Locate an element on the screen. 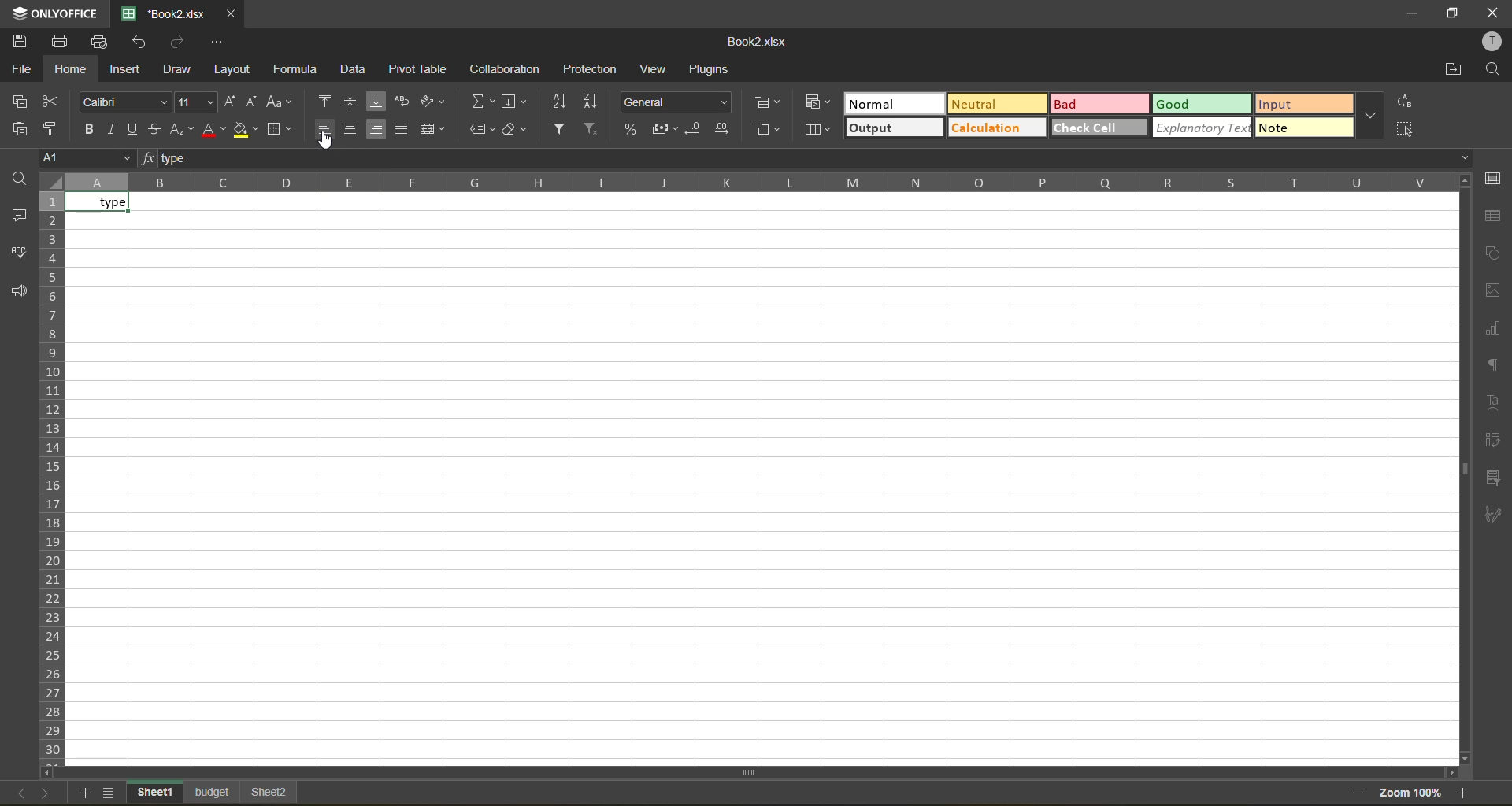 The image size is (1512, 806). zoom out is located at coordinates (1356, 793).